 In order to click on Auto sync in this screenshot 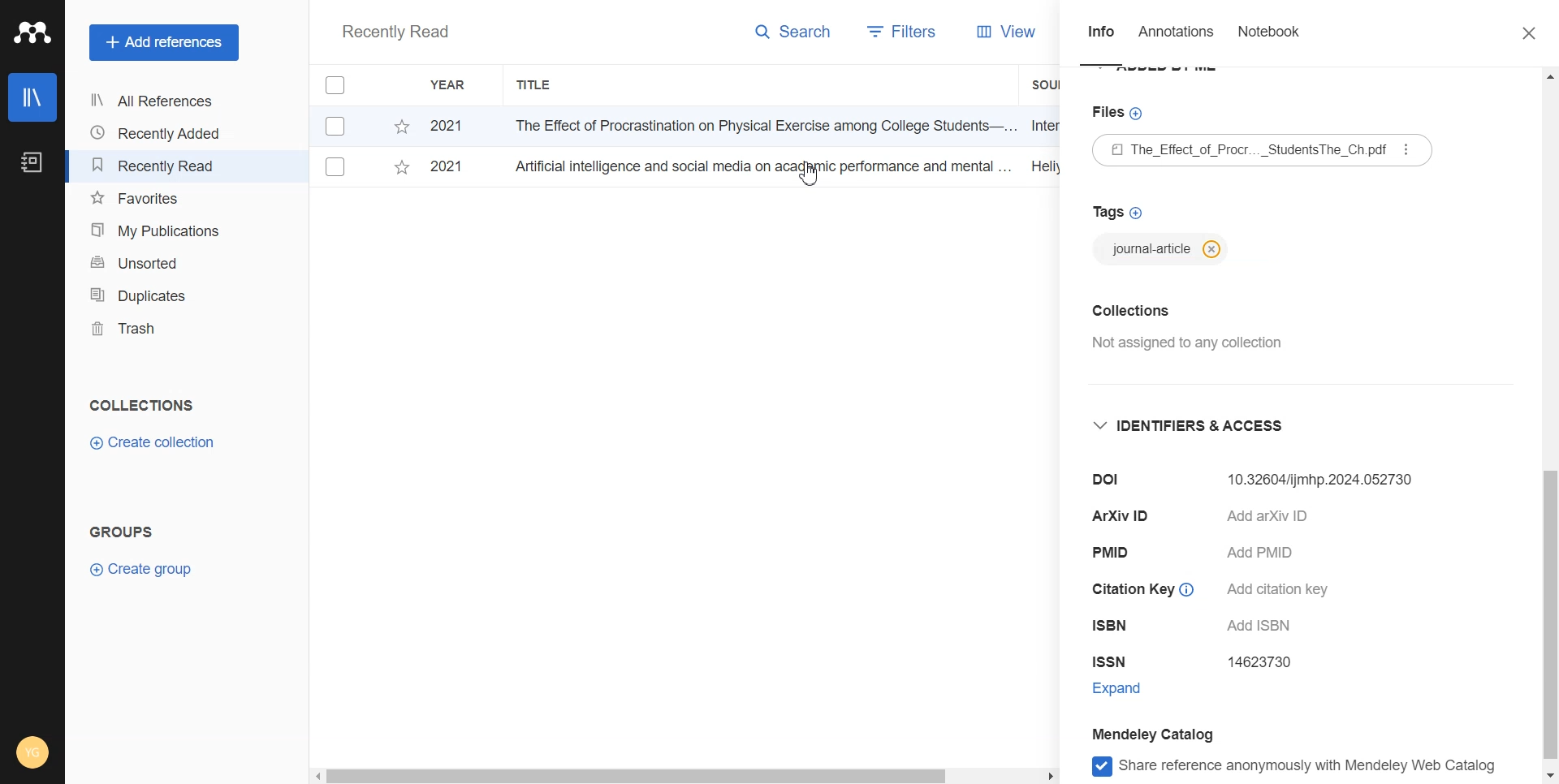, I will do `click(30, 687)`.